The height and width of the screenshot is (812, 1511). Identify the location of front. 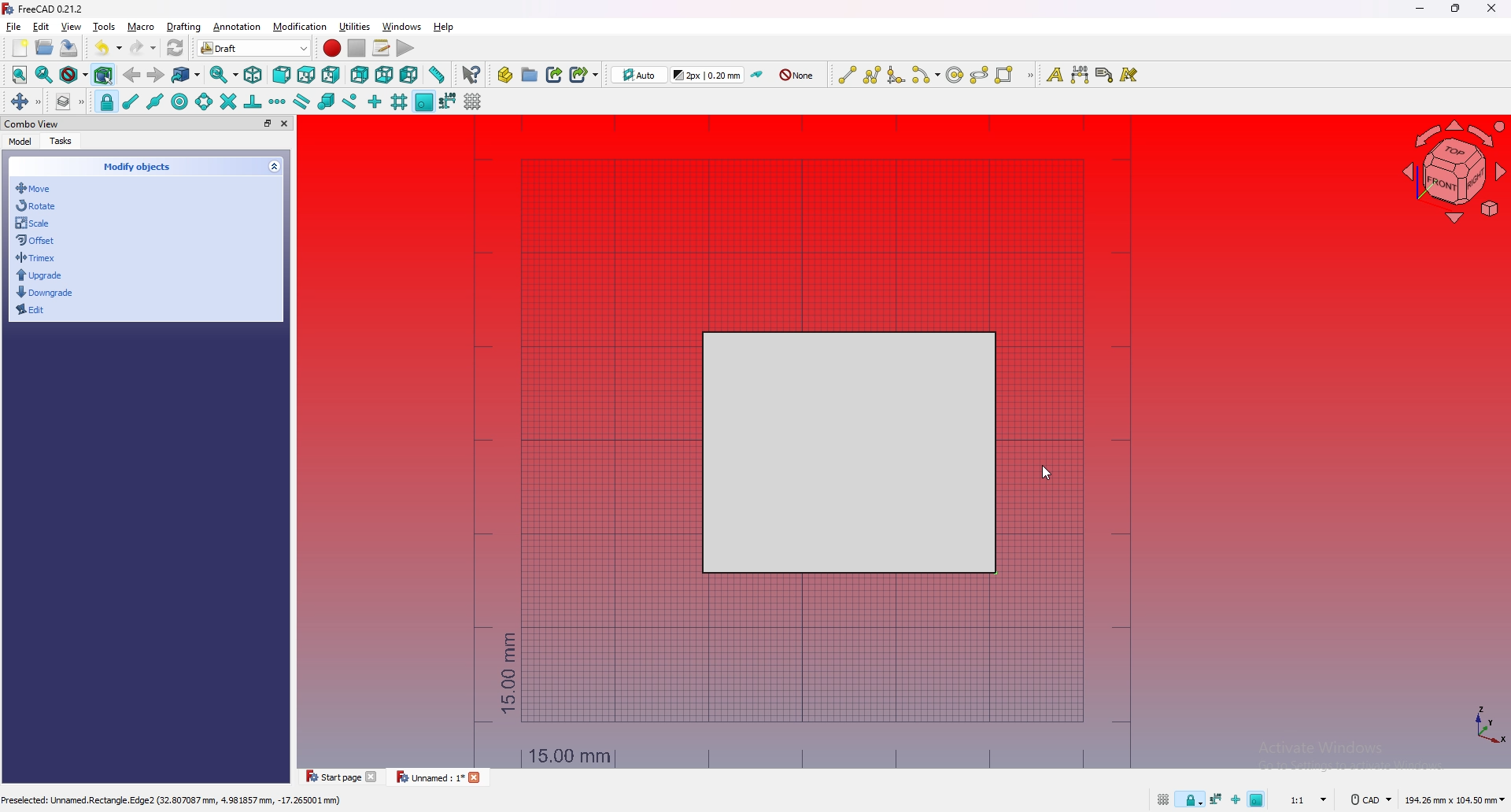
(282, 75).